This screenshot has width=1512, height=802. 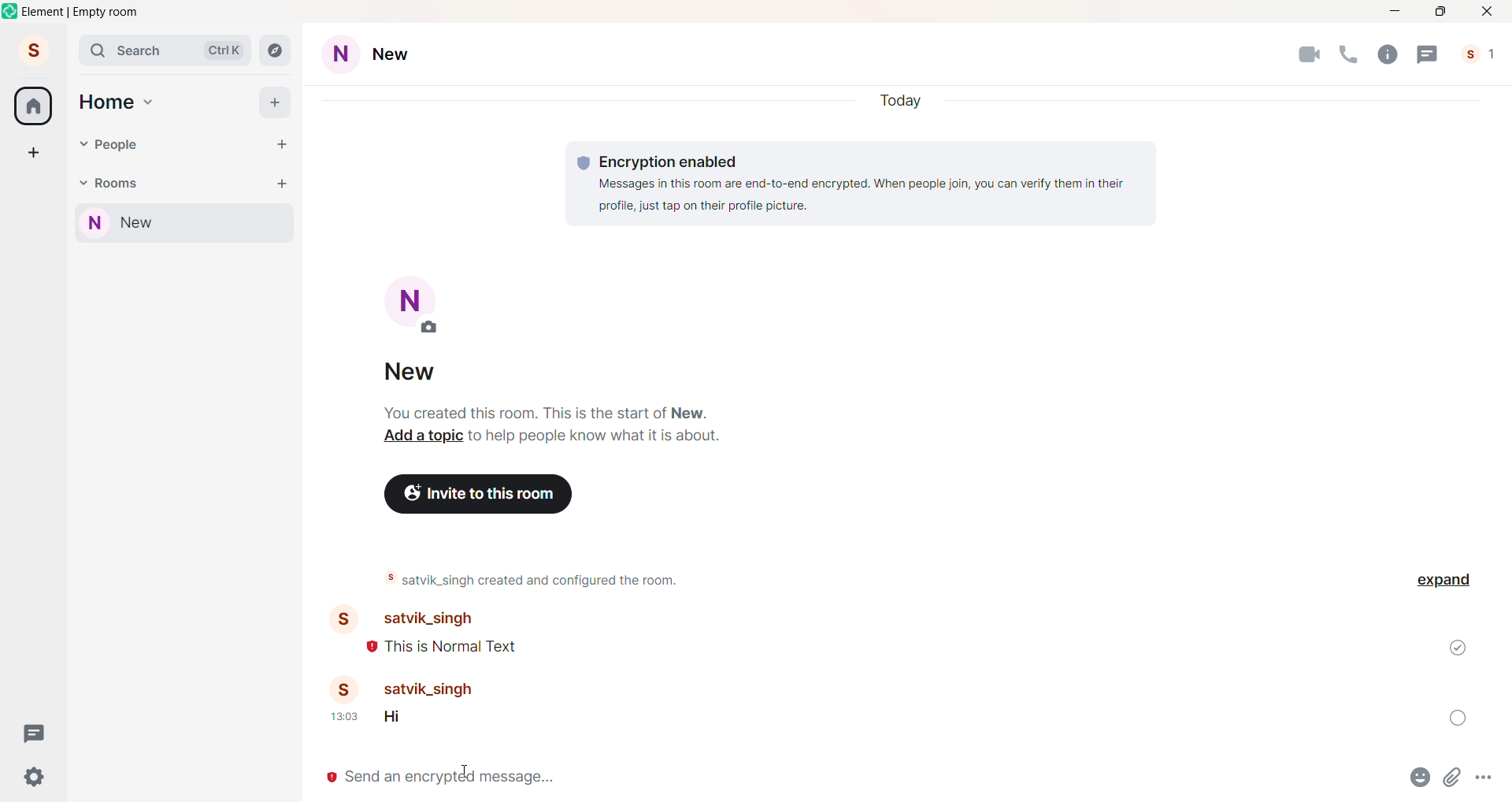 What do you see at coordinates (276, 102) in the screenshot?
I see `Add` at bounding box center [276, 102].